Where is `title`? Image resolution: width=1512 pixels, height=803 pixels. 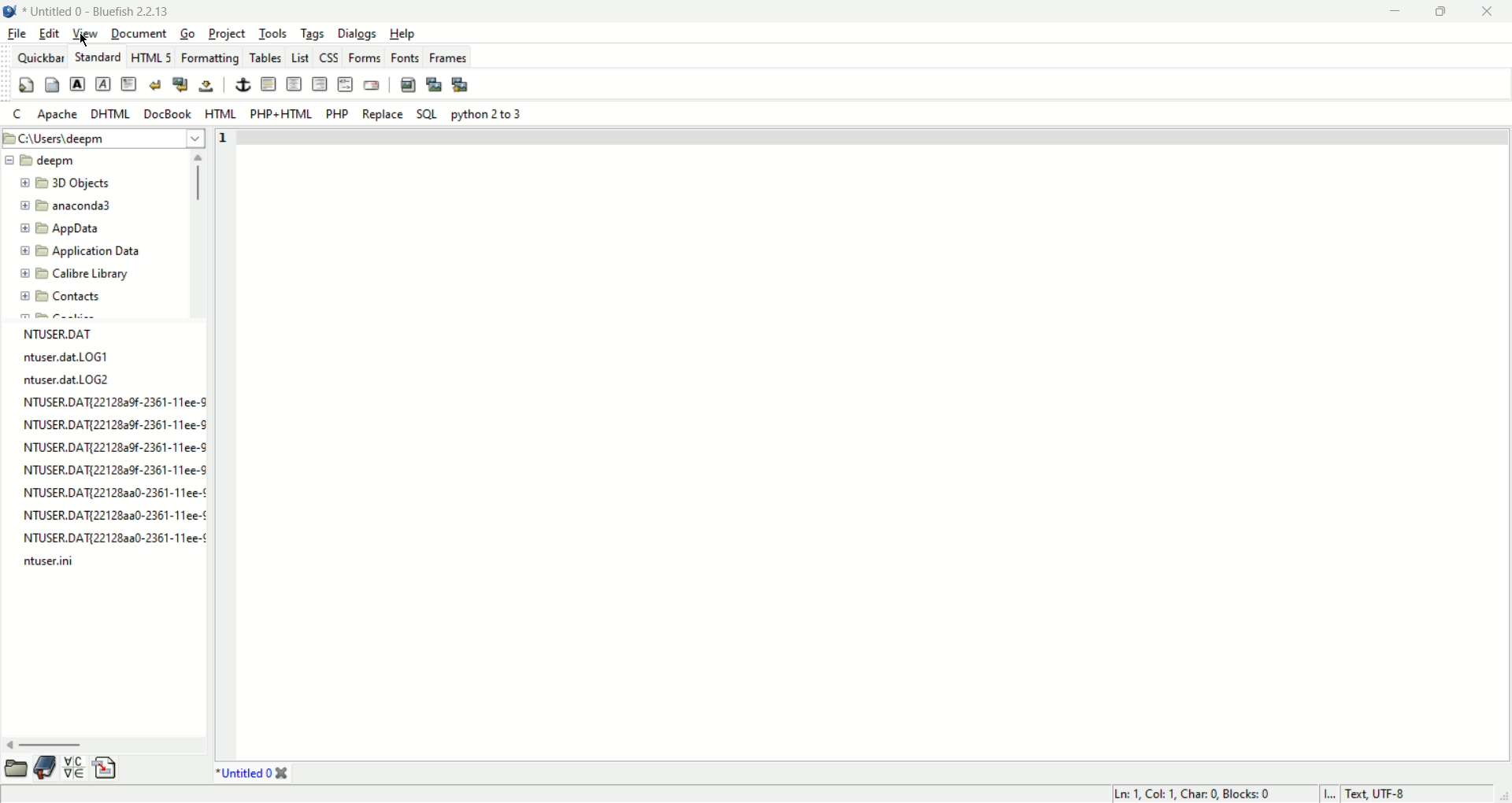
title is located at coordinates (100, 10).